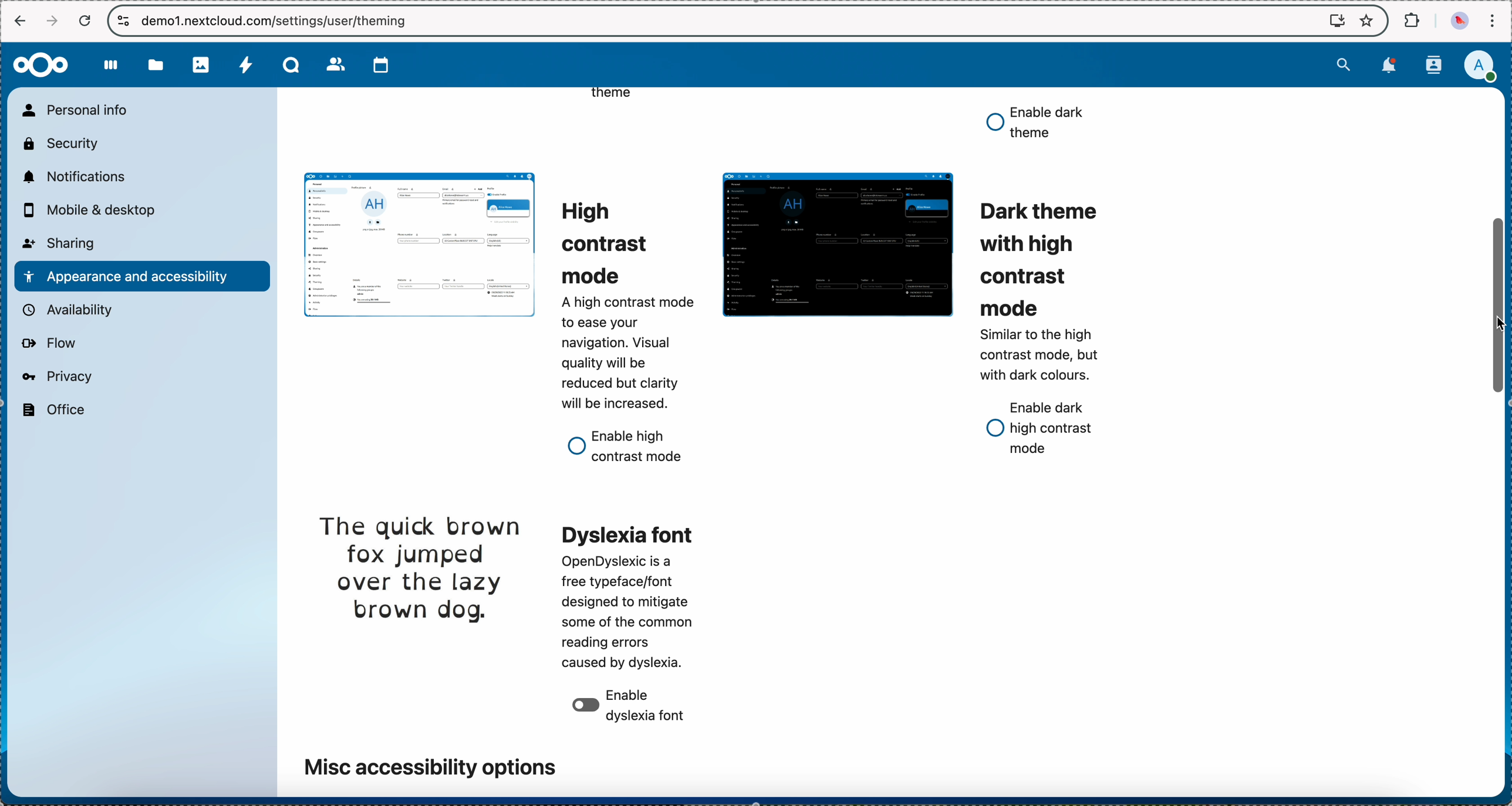 The image size is (1512, 806). What do you see at coordinates (634, 594) in the screenshot?
I see `dyslexia font theme` at bounding box center [634, 594].